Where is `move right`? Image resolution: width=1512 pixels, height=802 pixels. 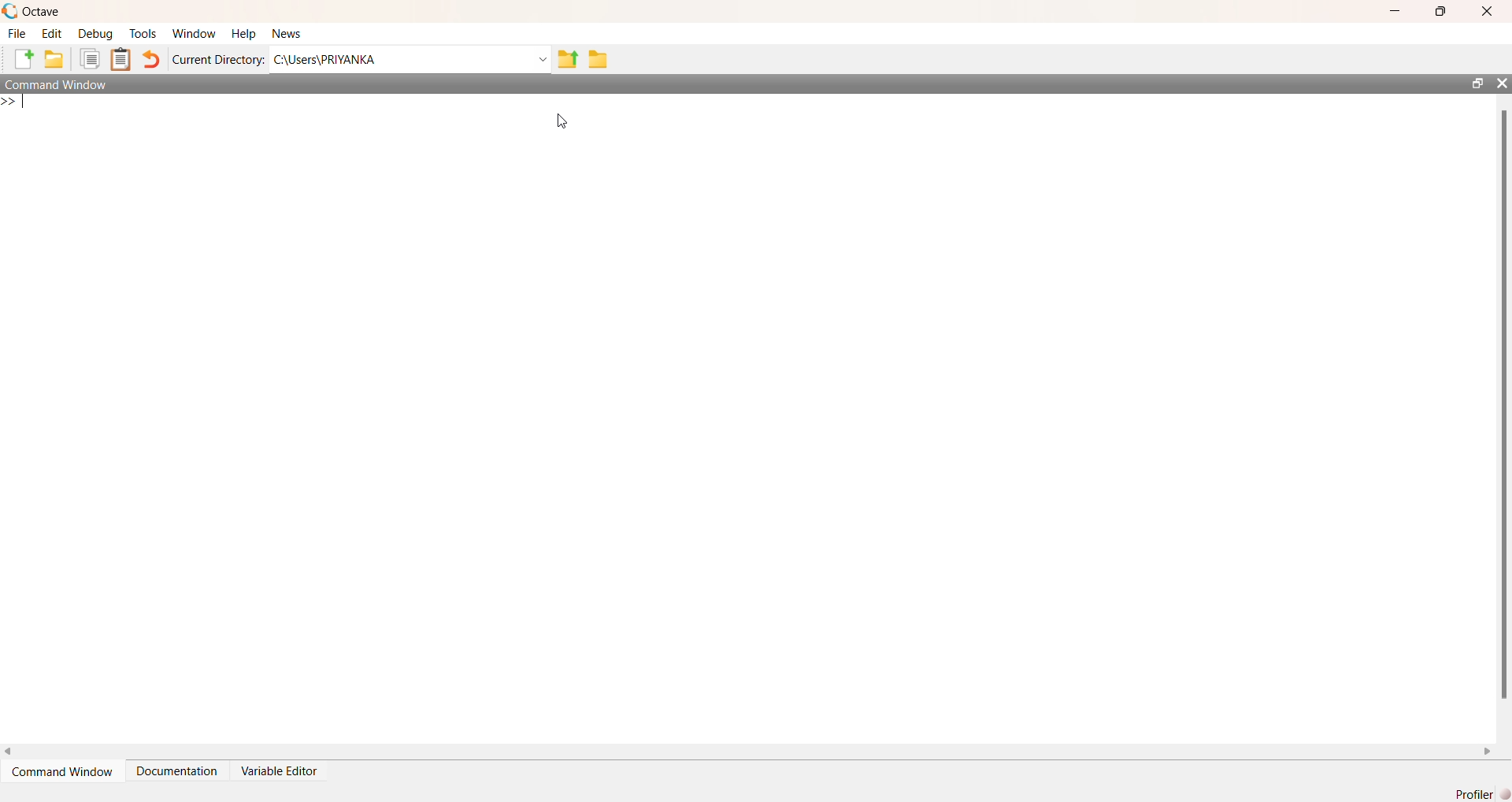
move right is located at coordinates (1490, 751).